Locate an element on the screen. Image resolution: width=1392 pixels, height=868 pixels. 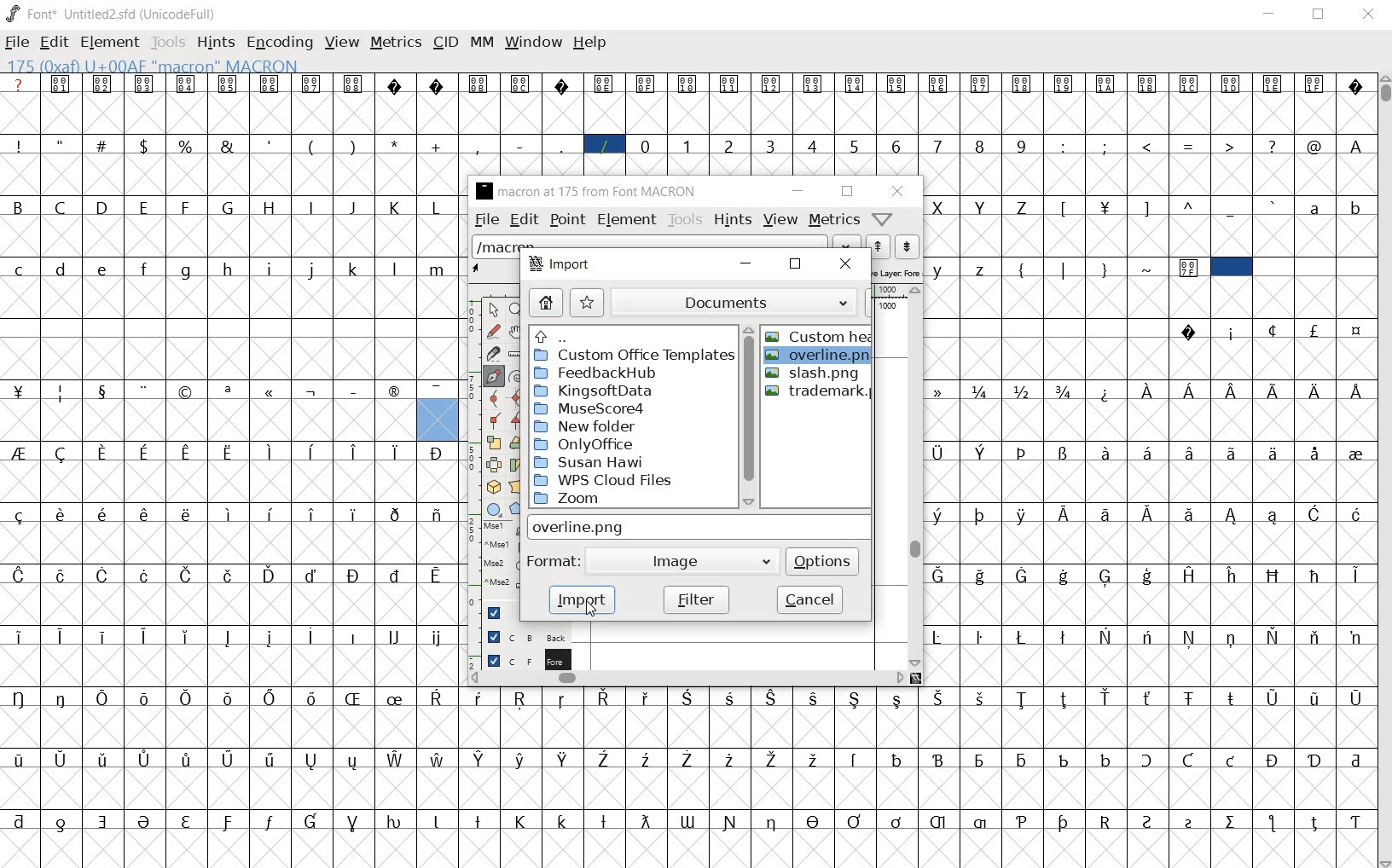
_ is located at coordinates (1232, 208).